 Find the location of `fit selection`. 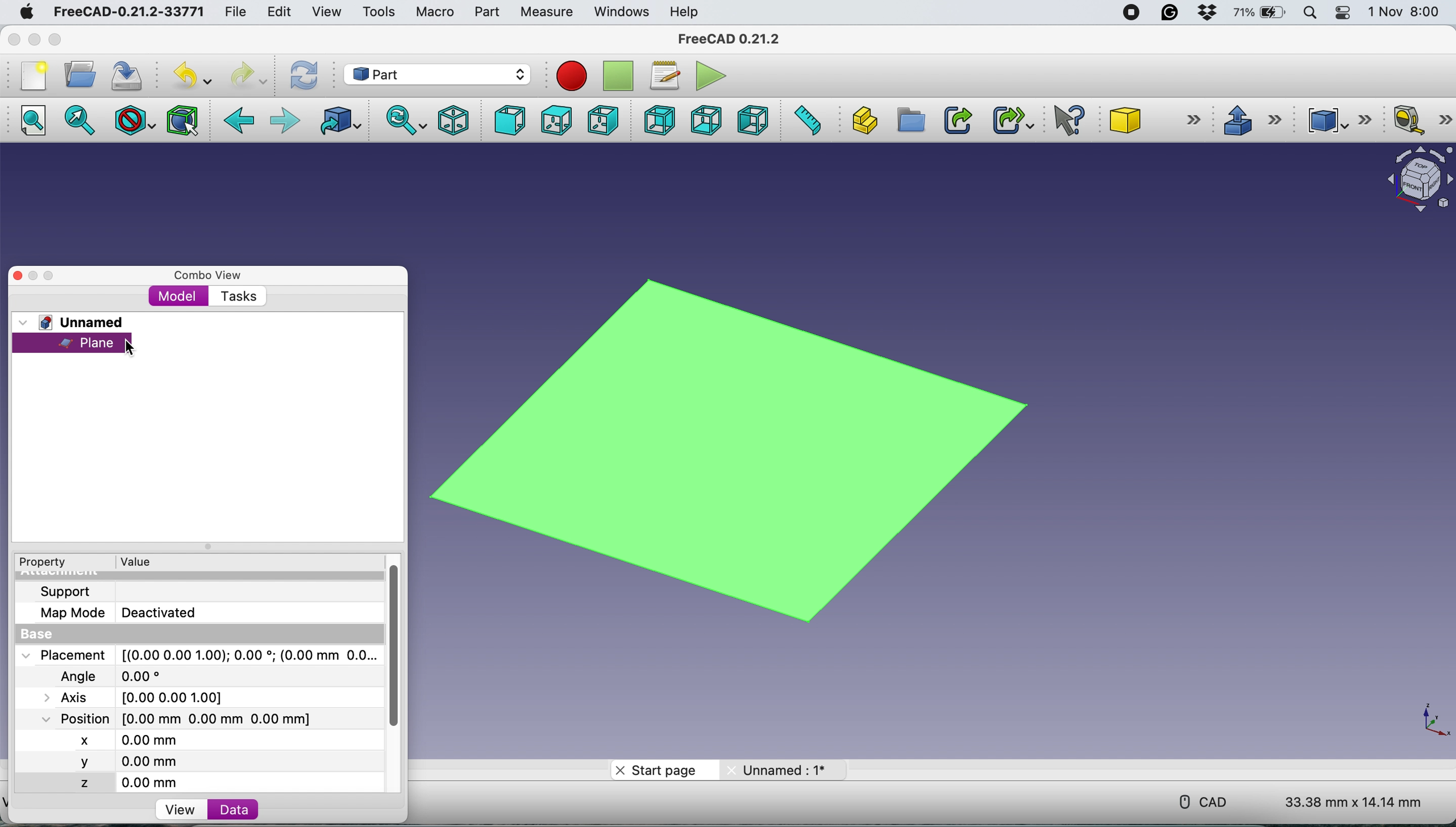

fit selection is located at coordinates (78, 124).